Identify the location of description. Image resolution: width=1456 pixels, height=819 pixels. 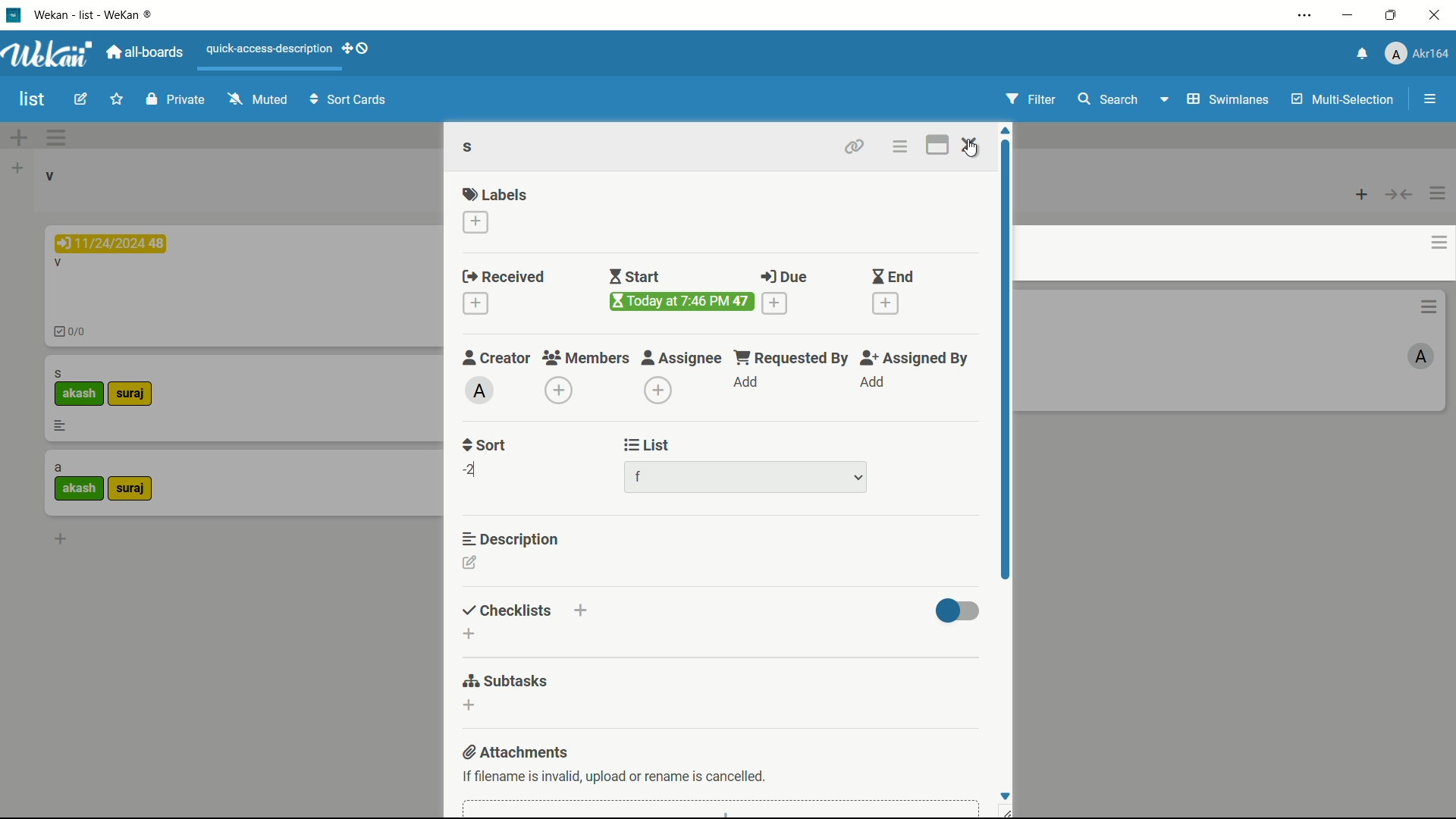
(512, 538).